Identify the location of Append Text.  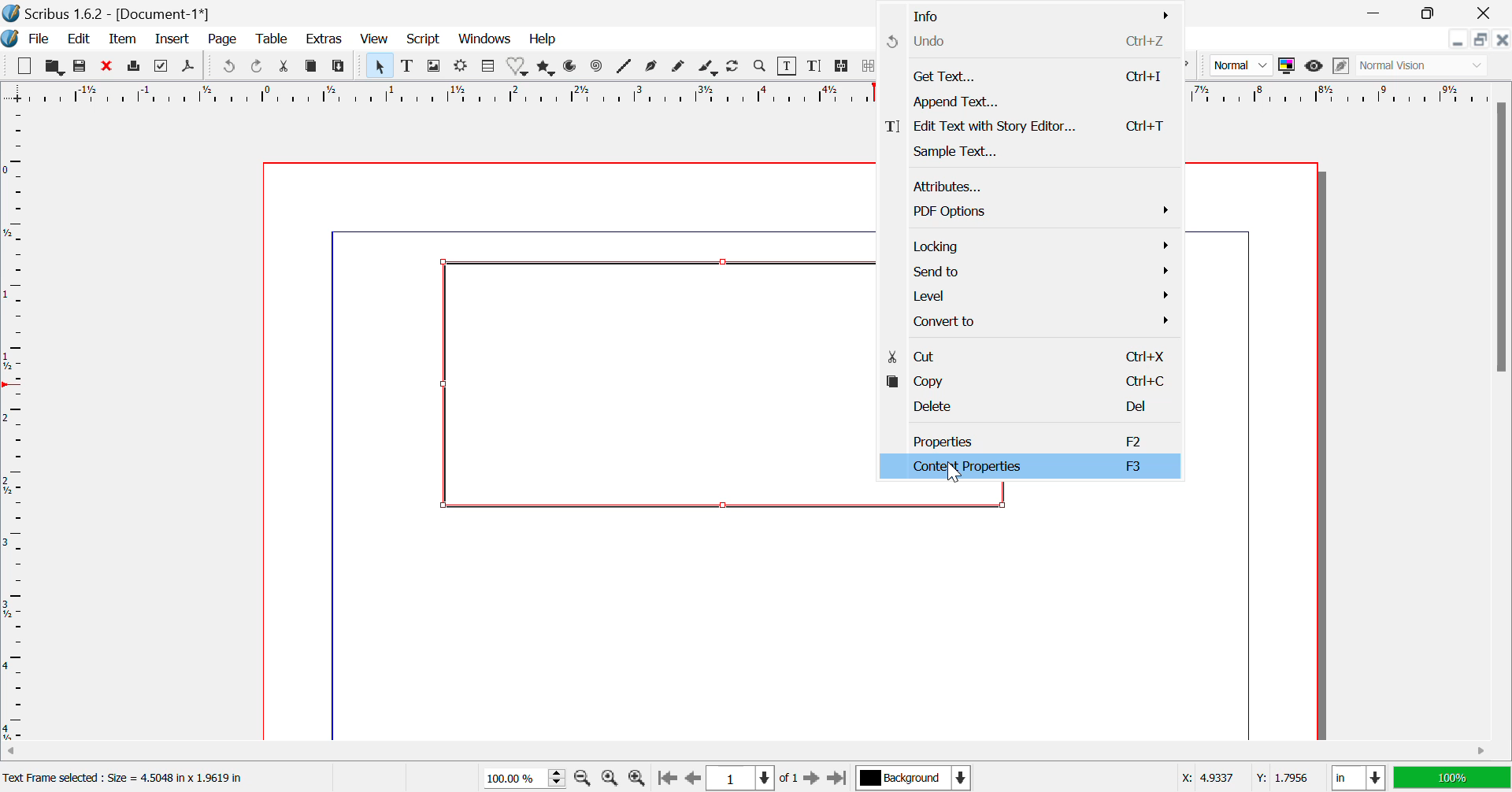
(1027, 103).